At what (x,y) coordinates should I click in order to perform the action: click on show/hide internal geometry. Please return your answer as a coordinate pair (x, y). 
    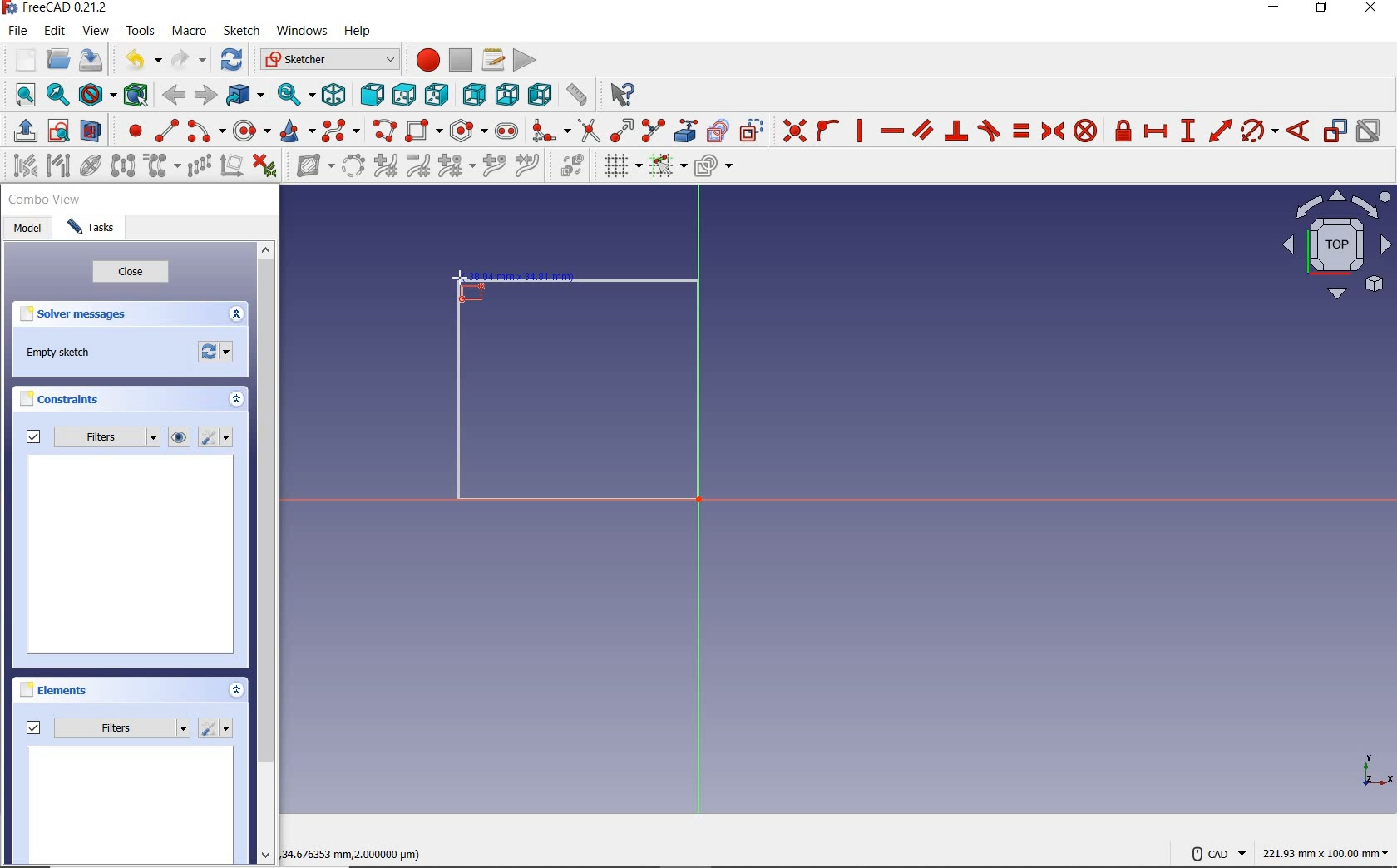
    Looking at the image, I should click on (89, 166).